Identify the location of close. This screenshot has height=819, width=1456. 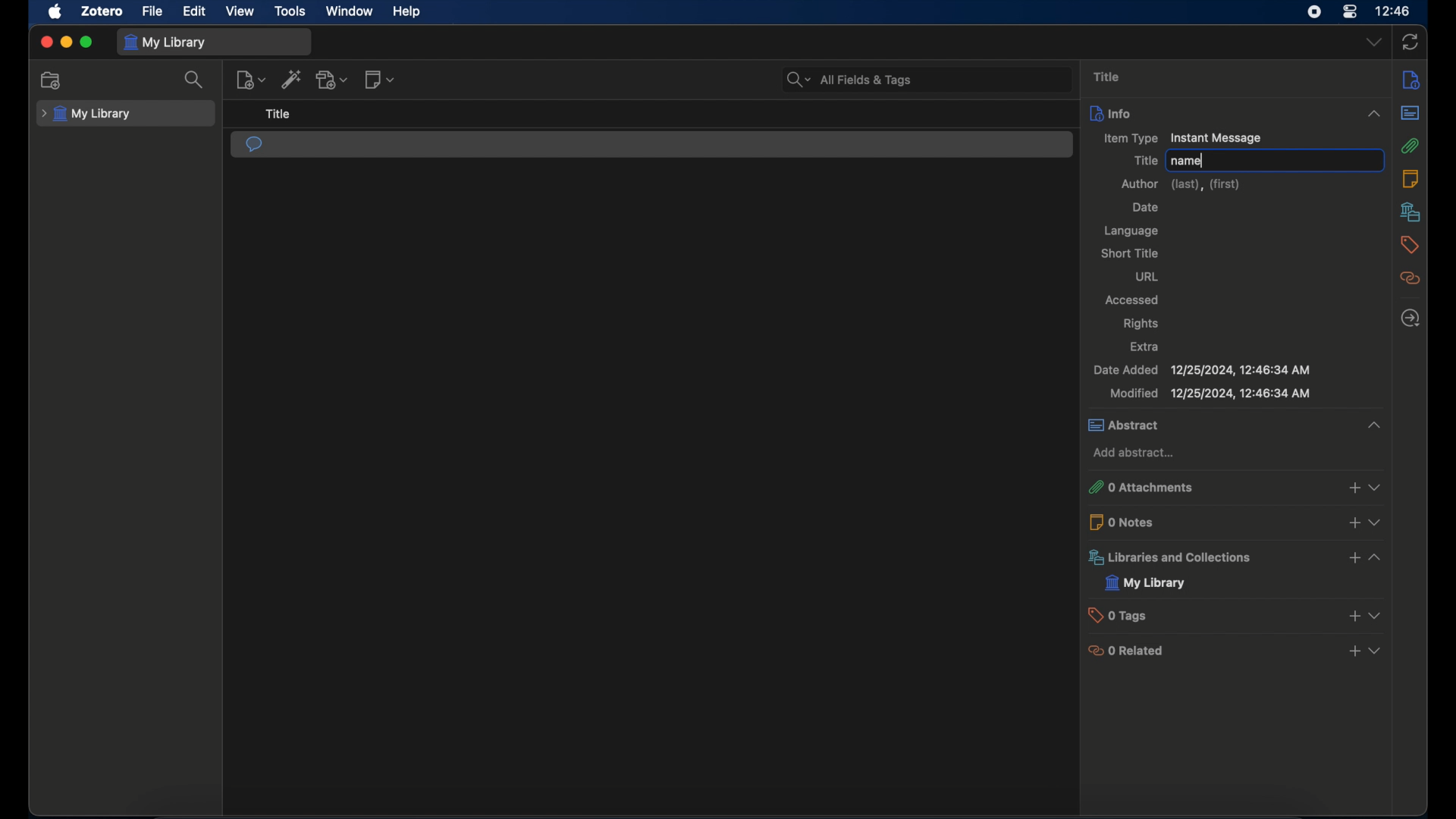
(45, 42).